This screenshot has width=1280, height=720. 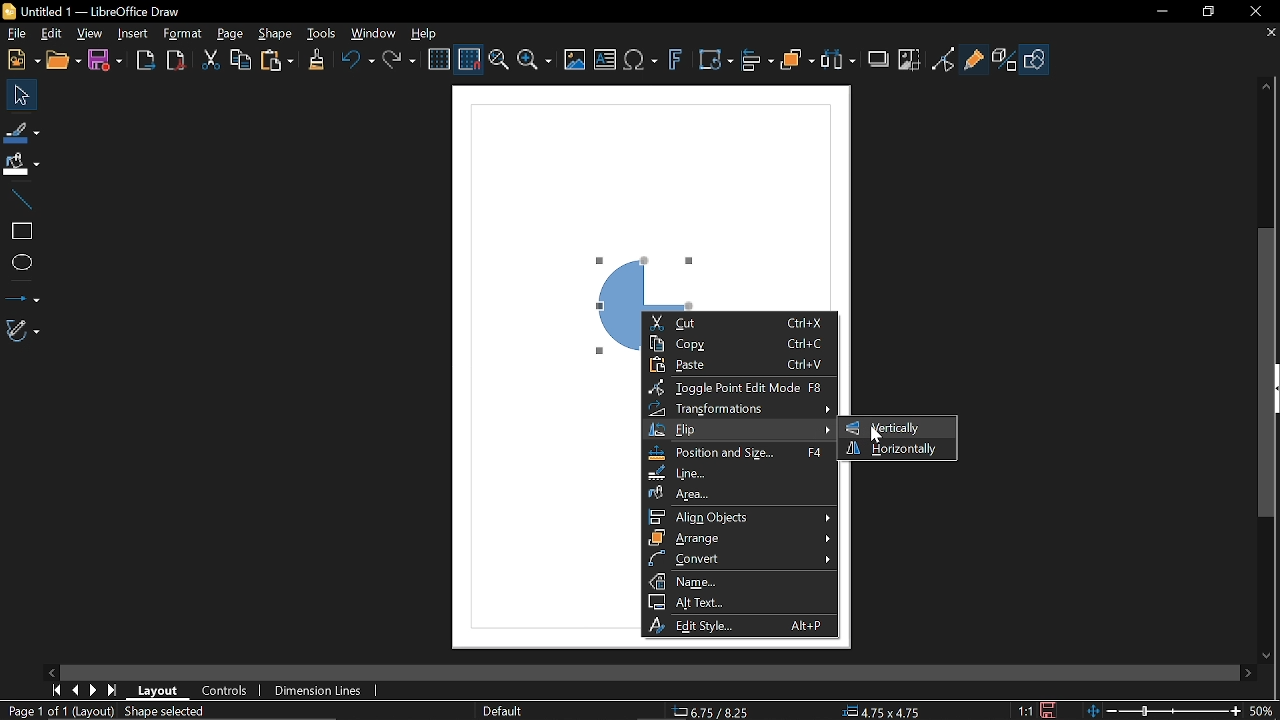 I want to click on Cut   Ctrl+X, so click(x=736, y=323).